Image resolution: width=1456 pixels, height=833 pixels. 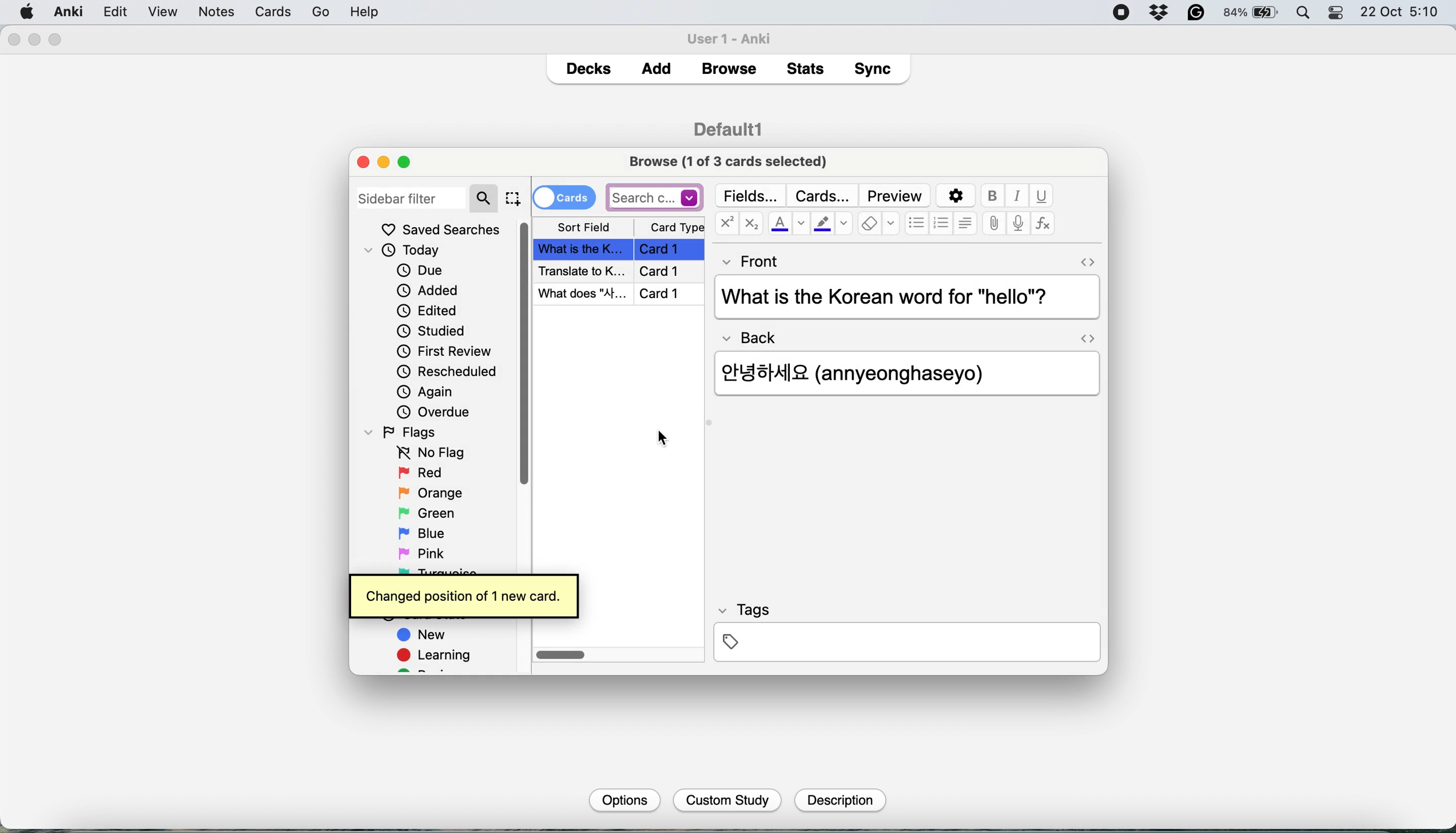 I want to click on sort field, so click(x=584, y=228).